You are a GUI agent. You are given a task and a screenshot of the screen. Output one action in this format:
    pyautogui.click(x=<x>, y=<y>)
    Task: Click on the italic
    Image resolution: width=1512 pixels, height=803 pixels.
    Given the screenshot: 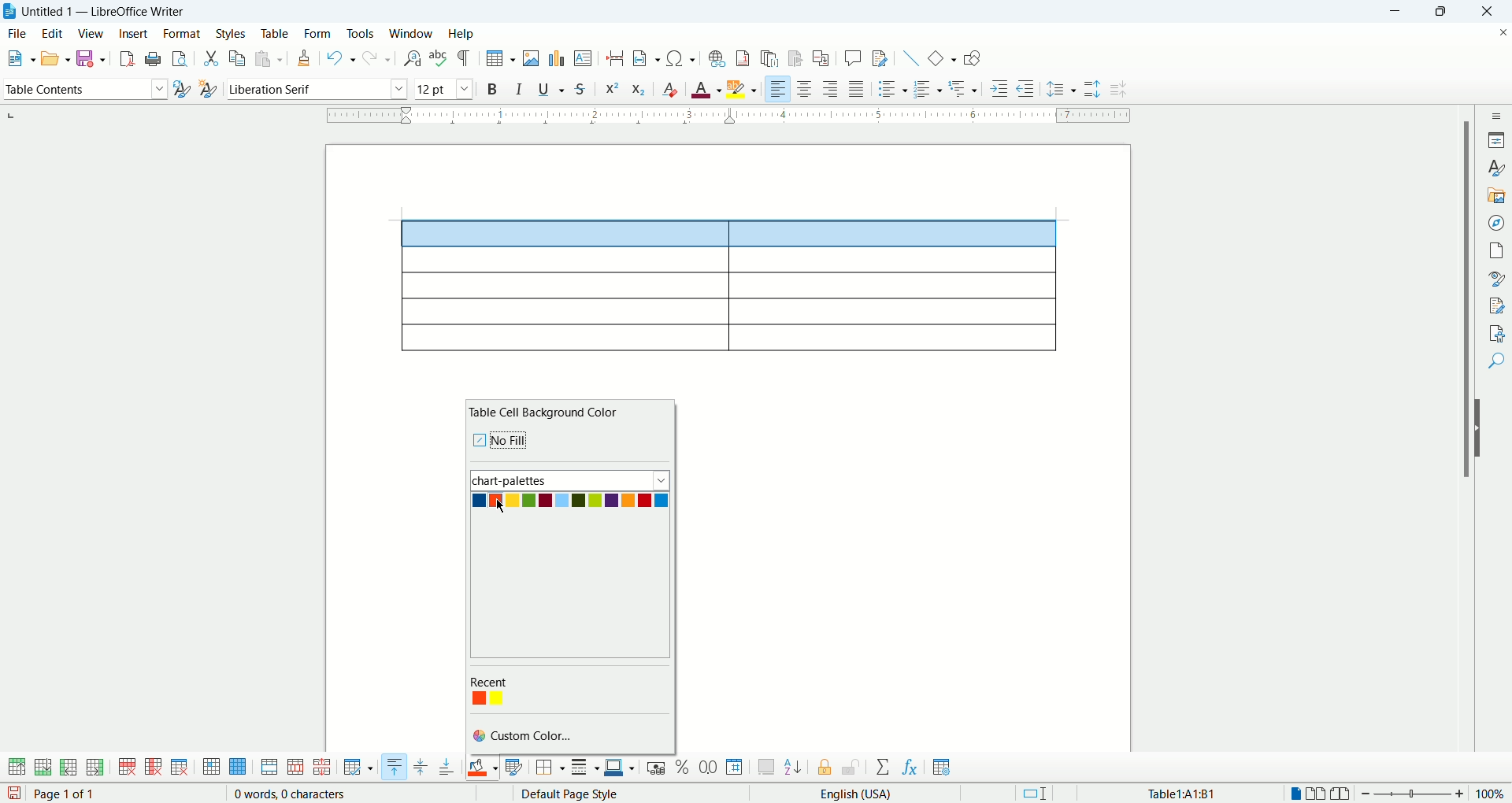 What is the action you would take?
    pyautogui.click(x=522, y=87)
    